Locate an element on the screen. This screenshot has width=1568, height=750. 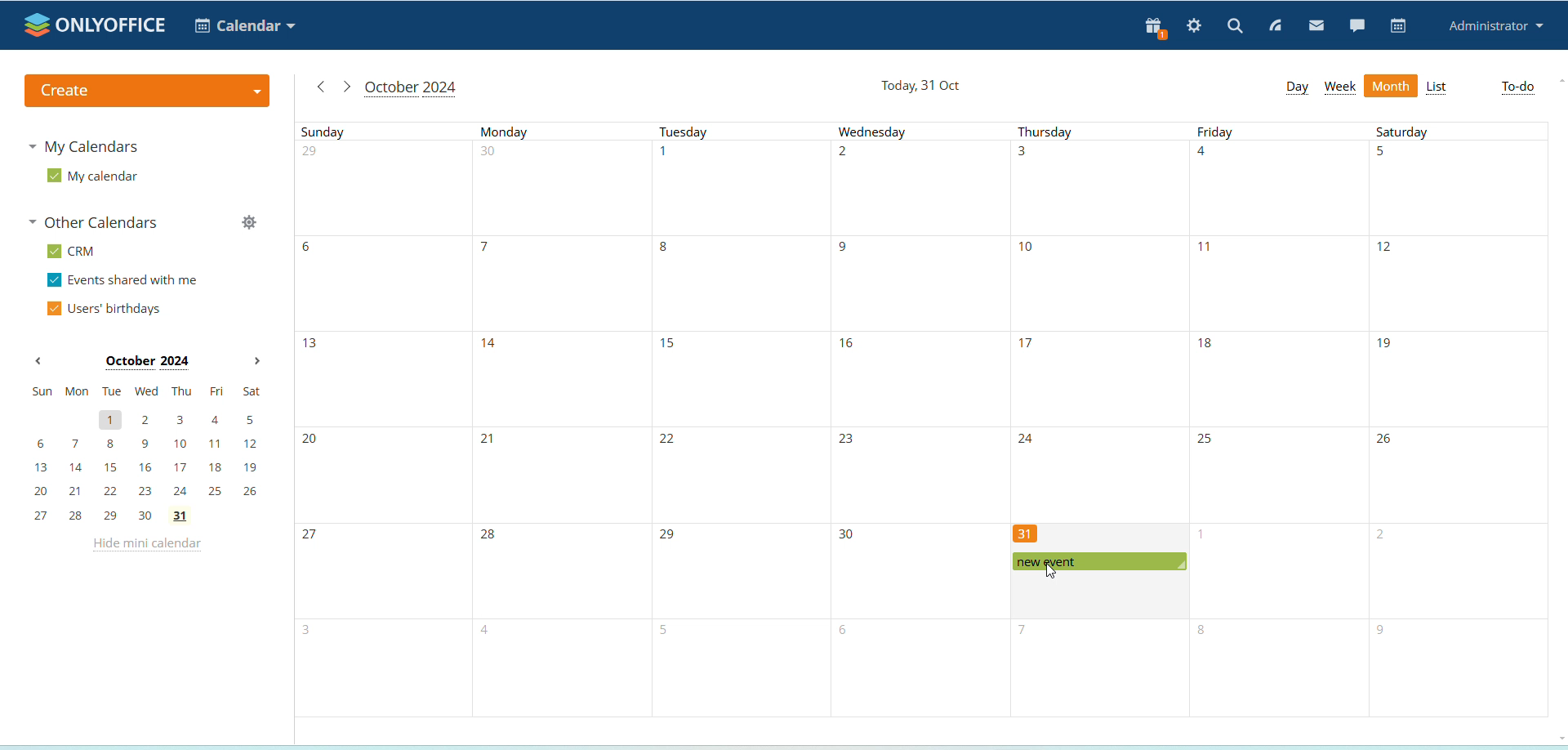
other calendars is located at coordinates (98, 224).